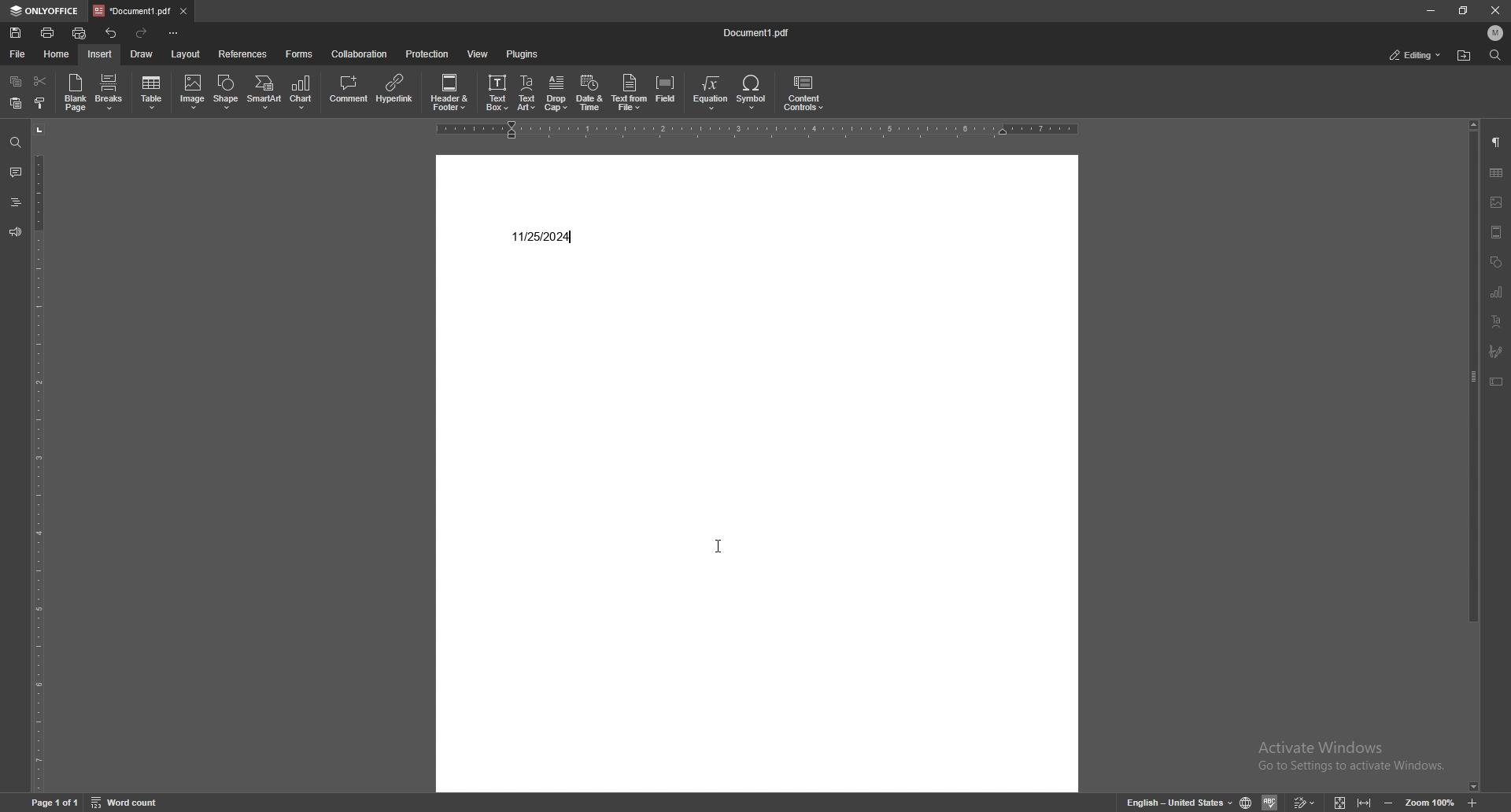 The image size is (1511, 812). I want to click on profile, so click(1494, 32).